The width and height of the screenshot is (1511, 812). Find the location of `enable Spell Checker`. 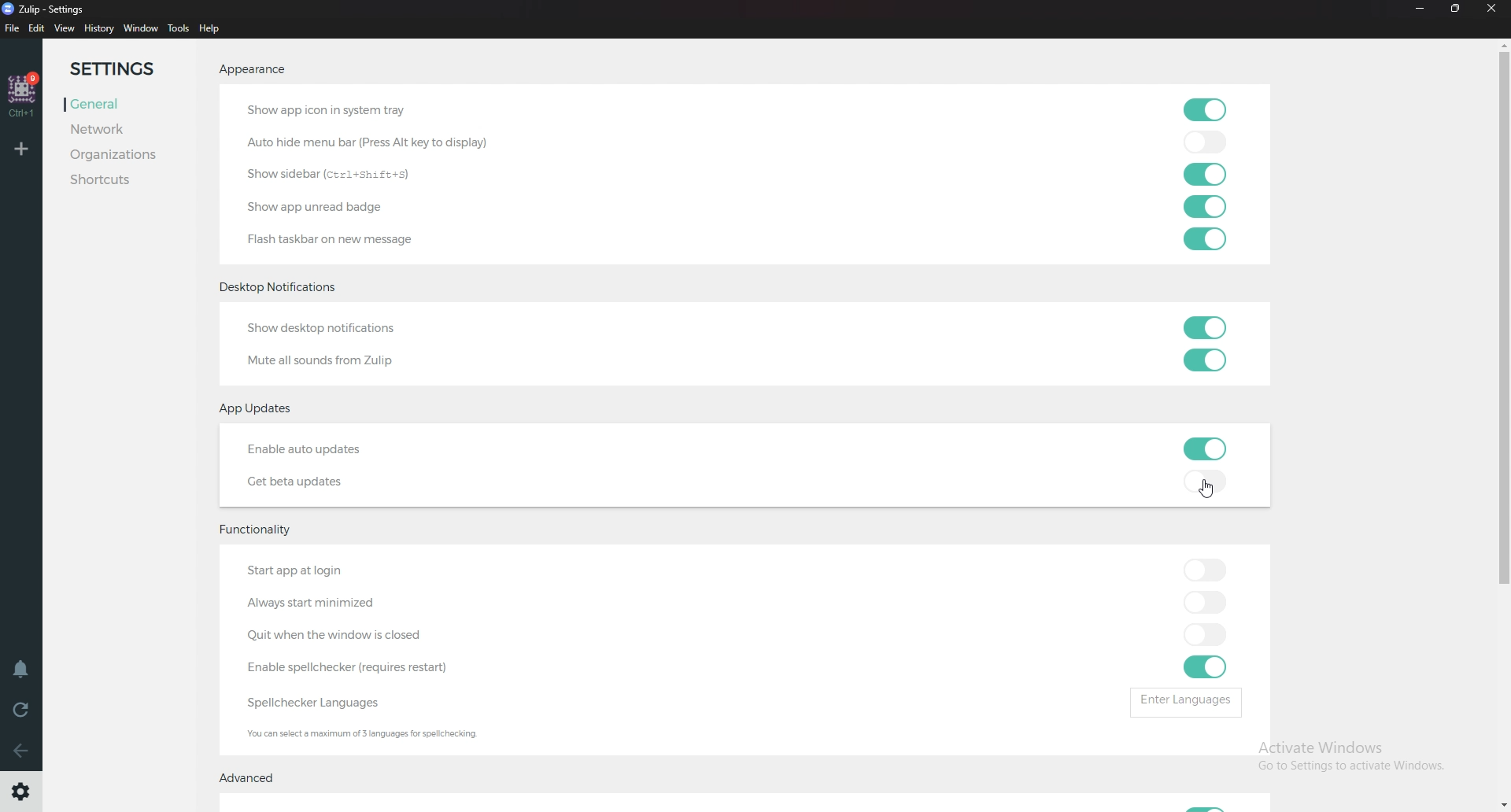

enable Spell Checker is located at coordinates (356, 670).